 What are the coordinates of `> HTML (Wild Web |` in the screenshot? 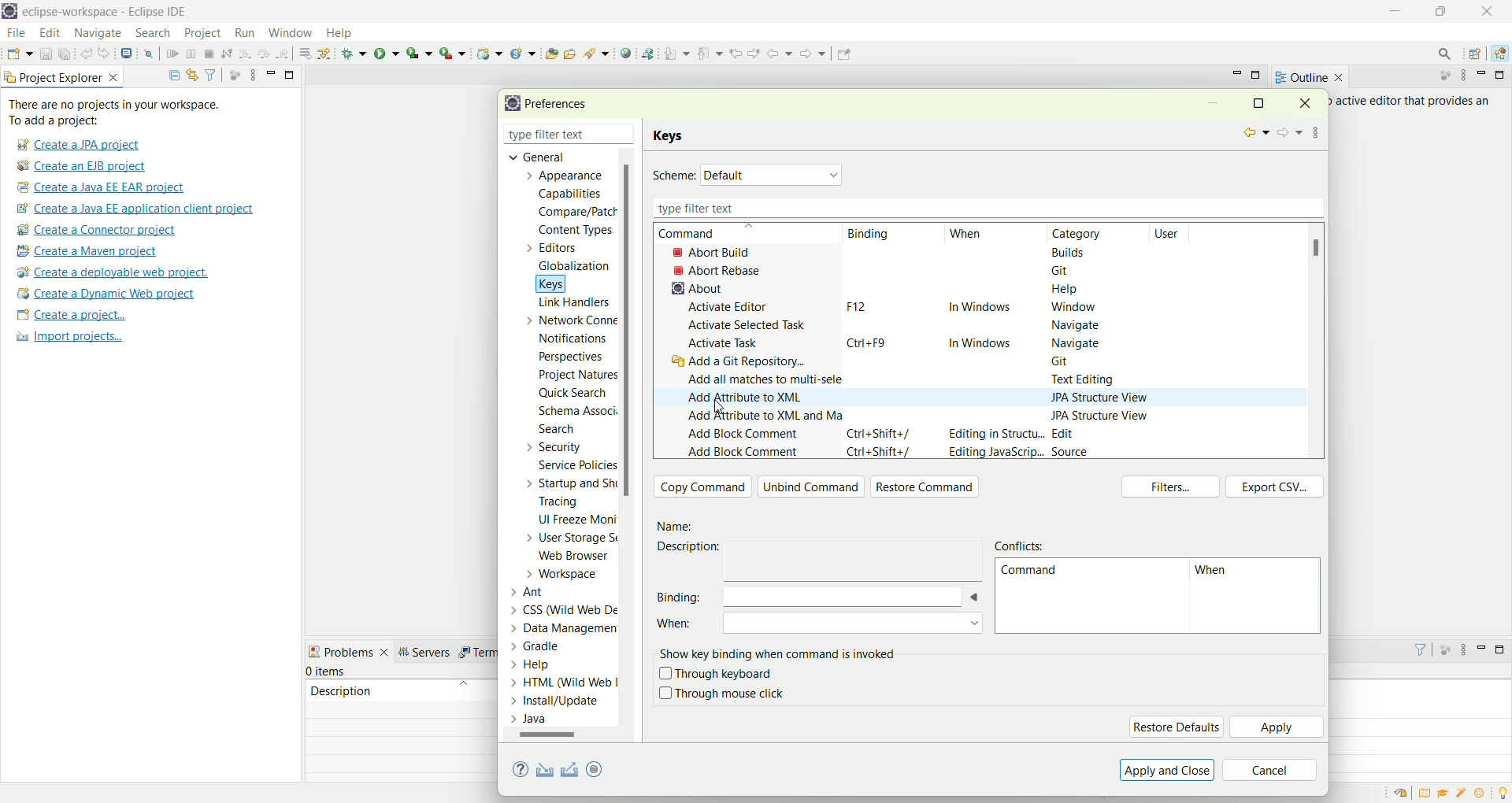 It's located at (565, 683).